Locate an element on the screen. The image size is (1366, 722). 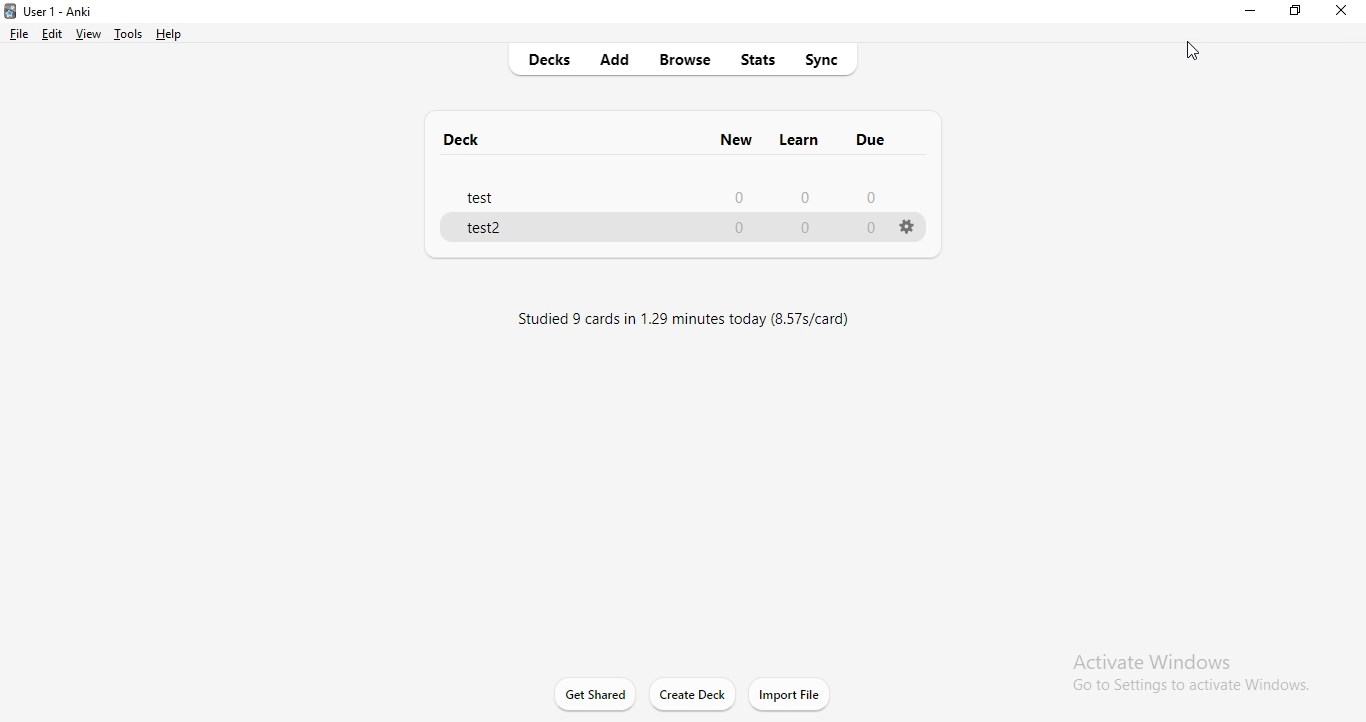
0 is located at coordinates (872, 229).